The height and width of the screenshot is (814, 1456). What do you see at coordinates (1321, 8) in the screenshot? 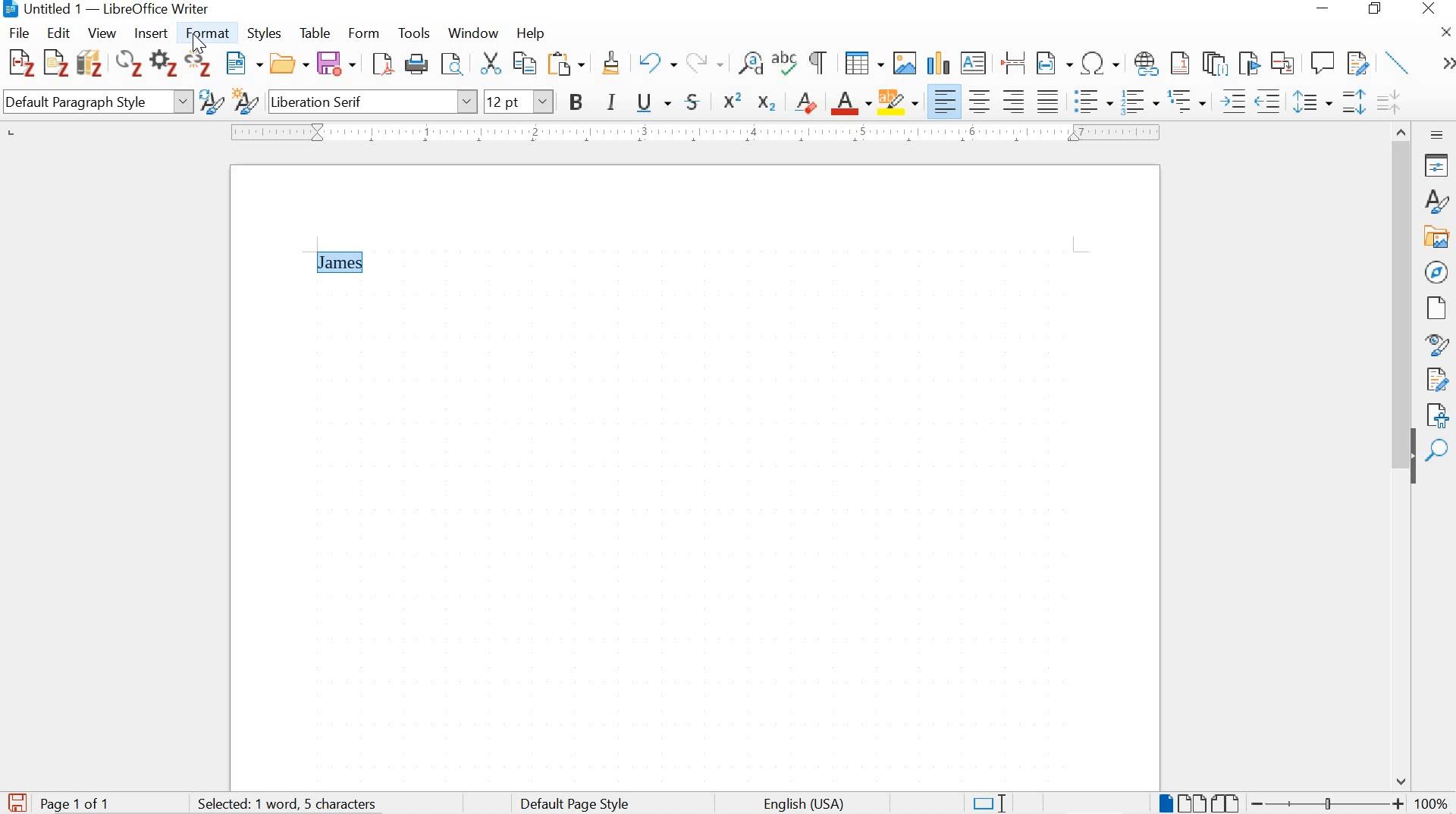
I see `minimize` at bounding box center [1321, 8].